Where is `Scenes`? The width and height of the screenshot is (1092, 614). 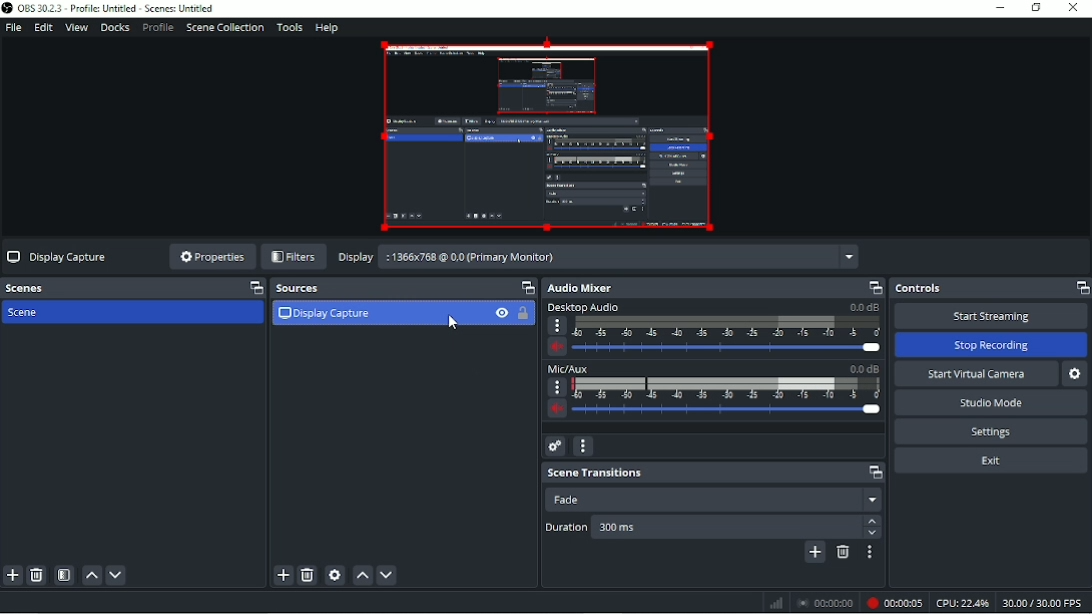
Scenes is located at coordinates (132, 288).